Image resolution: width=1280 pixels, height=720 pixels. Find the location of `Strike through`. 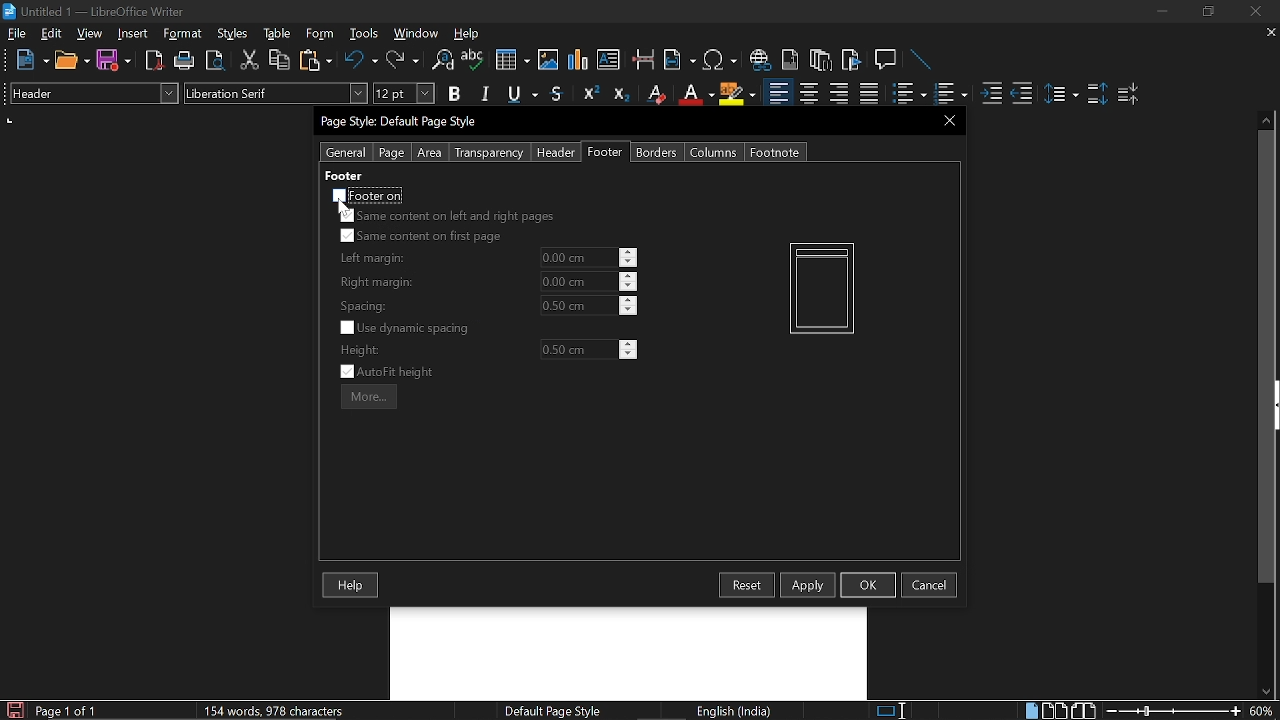

Strike through is located at coordinates (557, 93).